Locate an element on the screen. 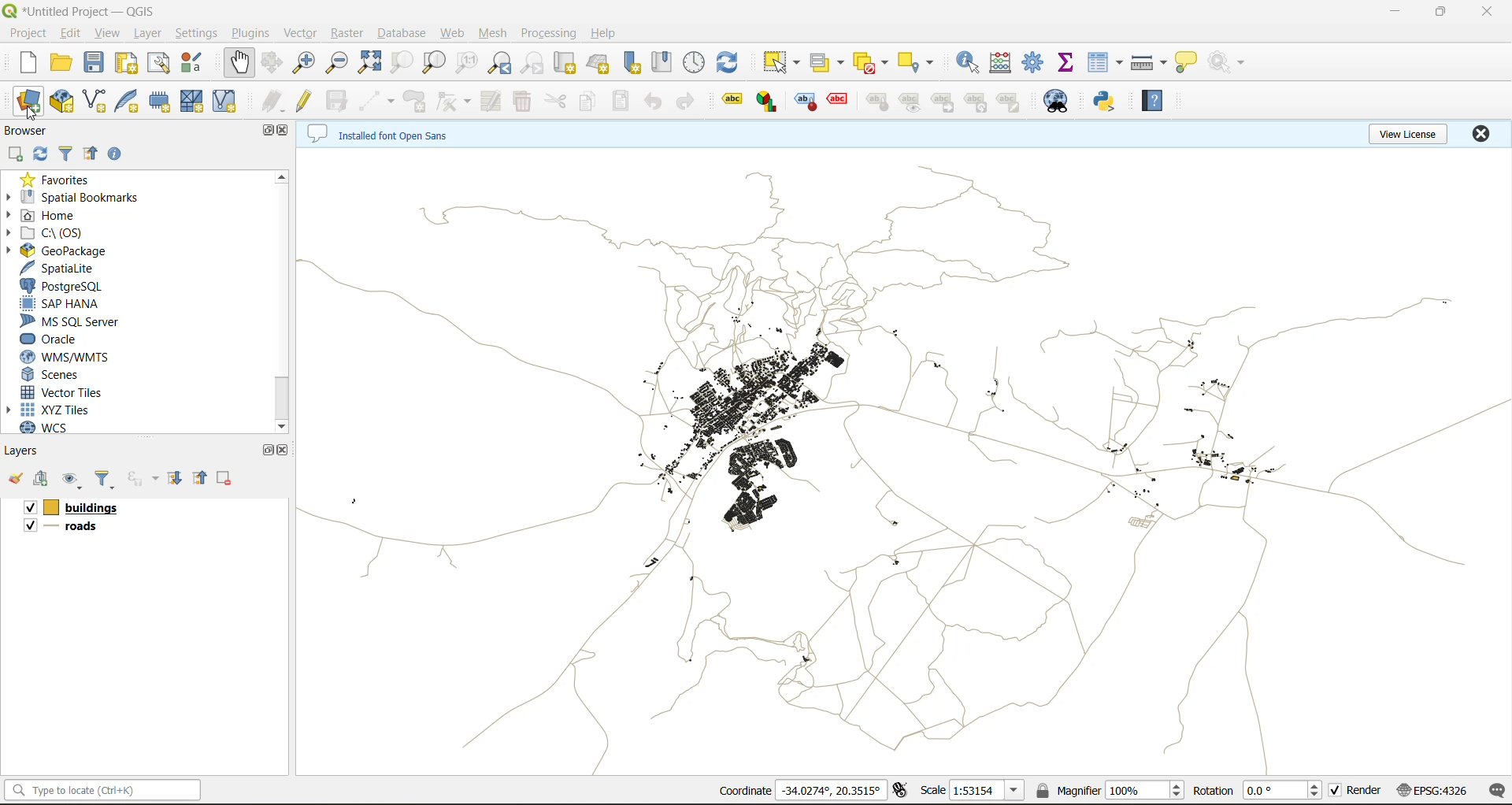  wms/wmts is located at coordinates (71, 357).